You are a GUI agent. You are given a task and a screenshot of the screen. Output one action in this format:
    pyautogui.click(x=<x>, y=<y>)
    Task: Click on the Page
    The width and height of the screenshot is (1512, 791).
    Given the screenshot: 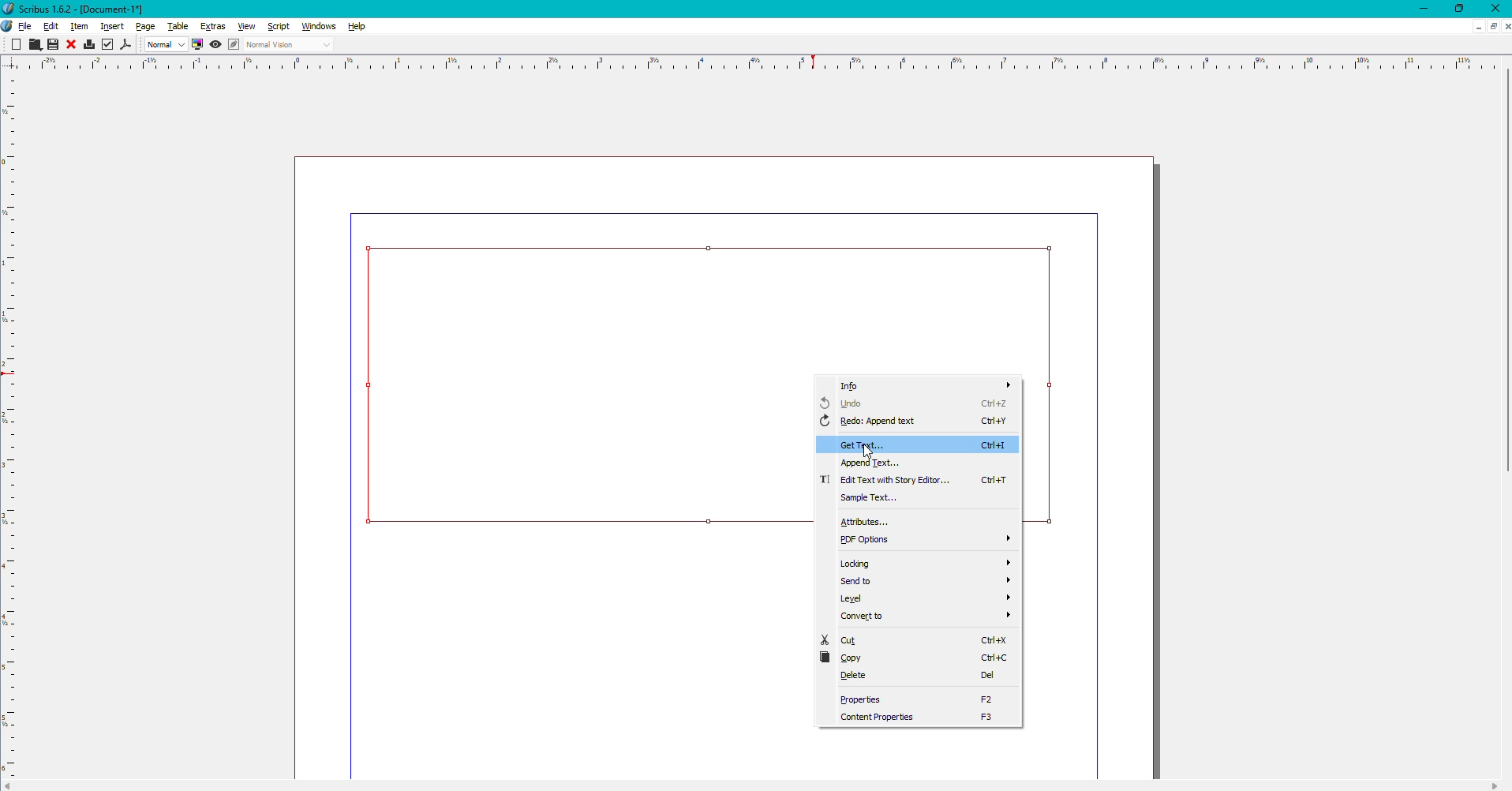 What is the action you would take?
    pyautogui.click(x=148, y=25)
    